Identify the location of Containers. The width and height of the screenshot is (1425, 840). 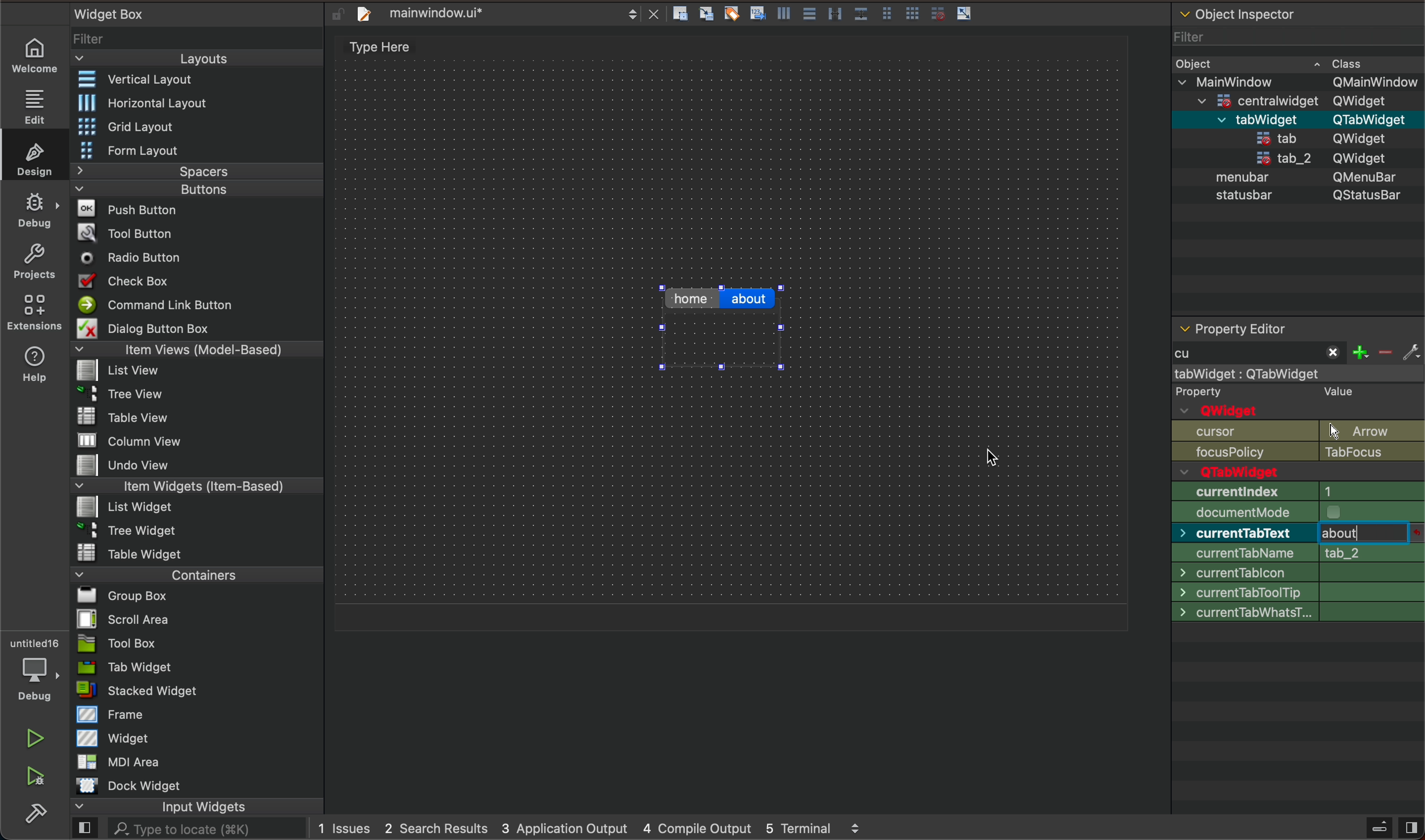
(194, 573).